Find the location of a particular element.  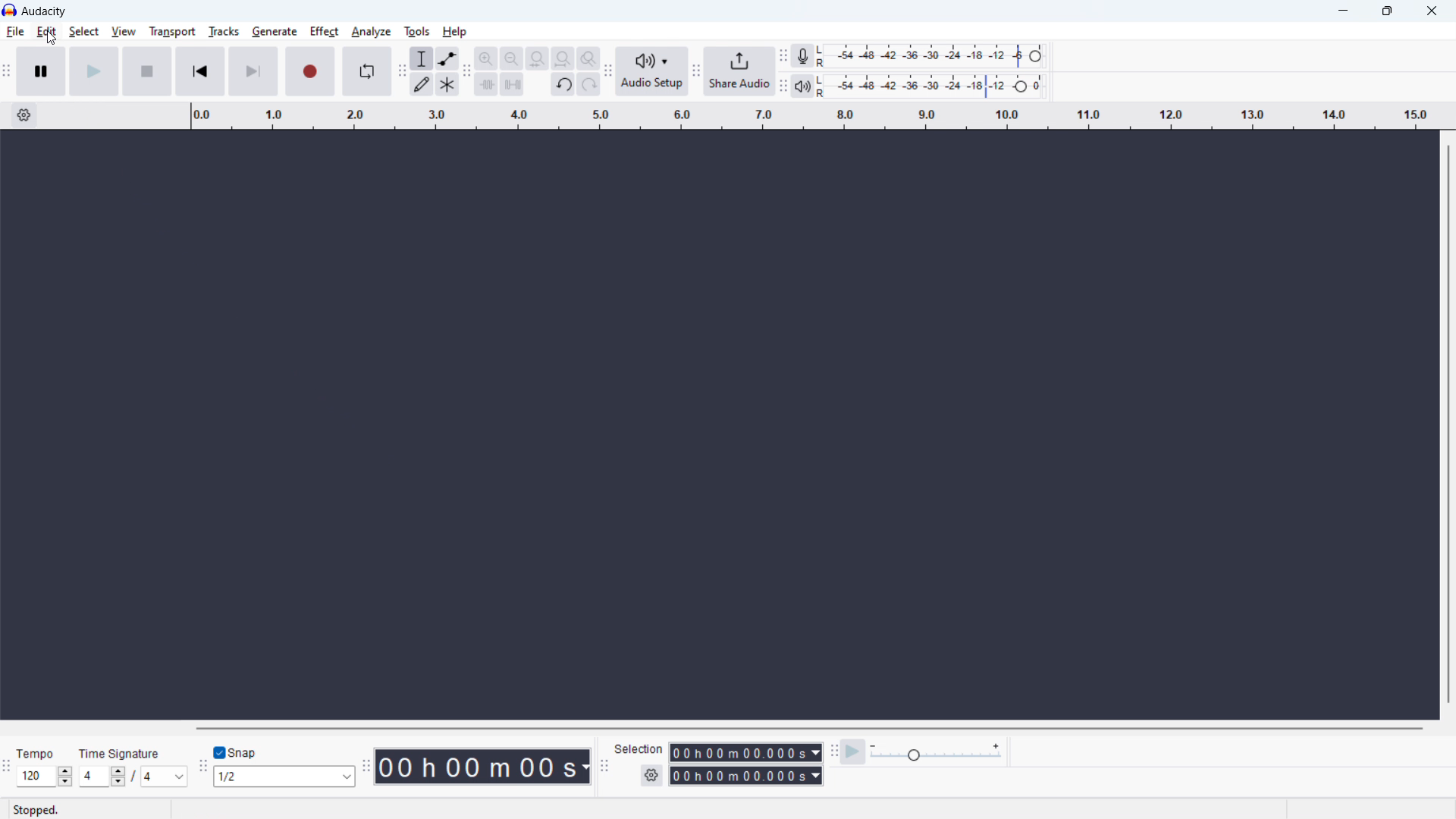

Time signature is located at coordinates (118, 752).